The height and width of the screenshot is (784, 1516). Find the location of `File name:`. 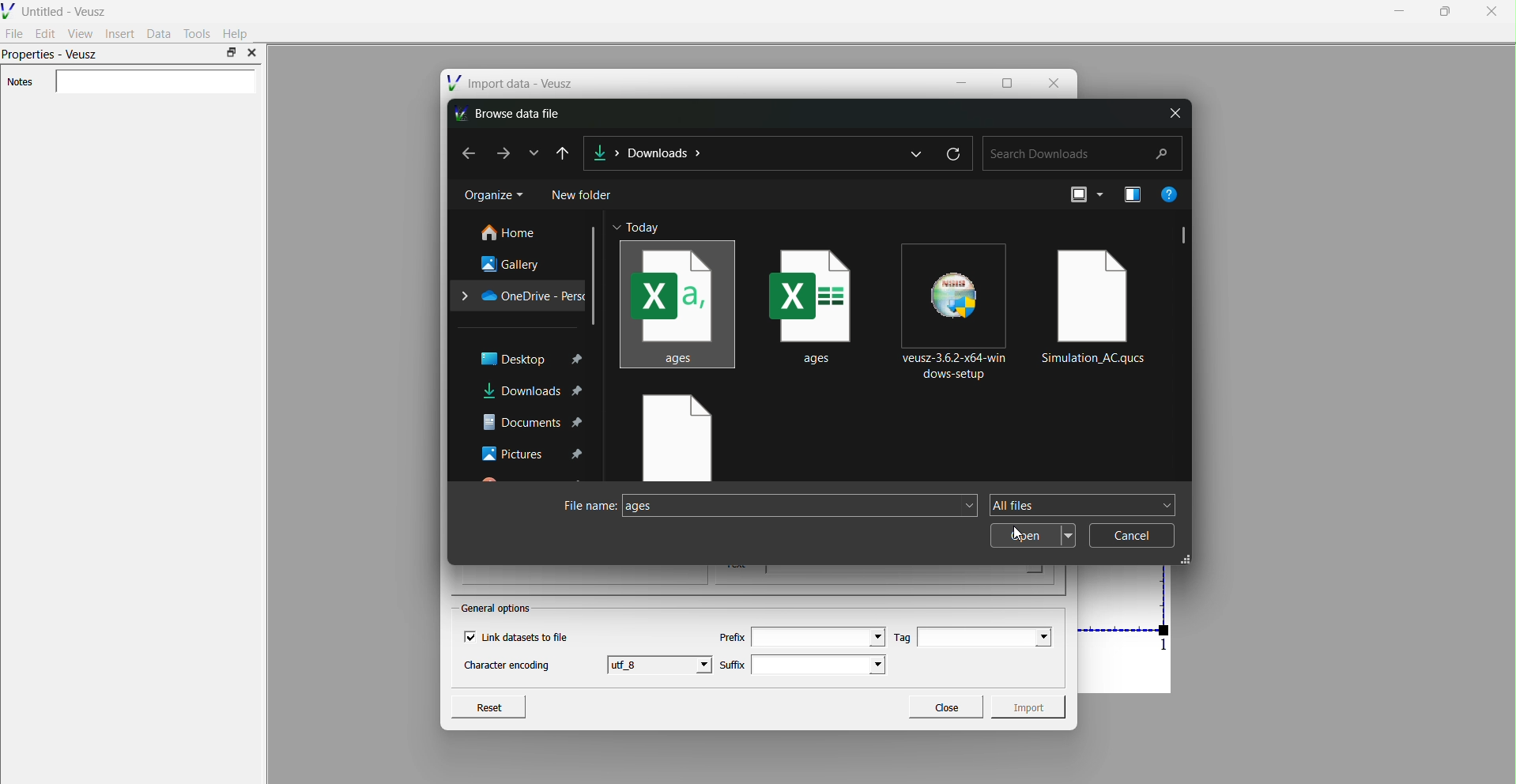

File name: is located at coordinates (579, 507).